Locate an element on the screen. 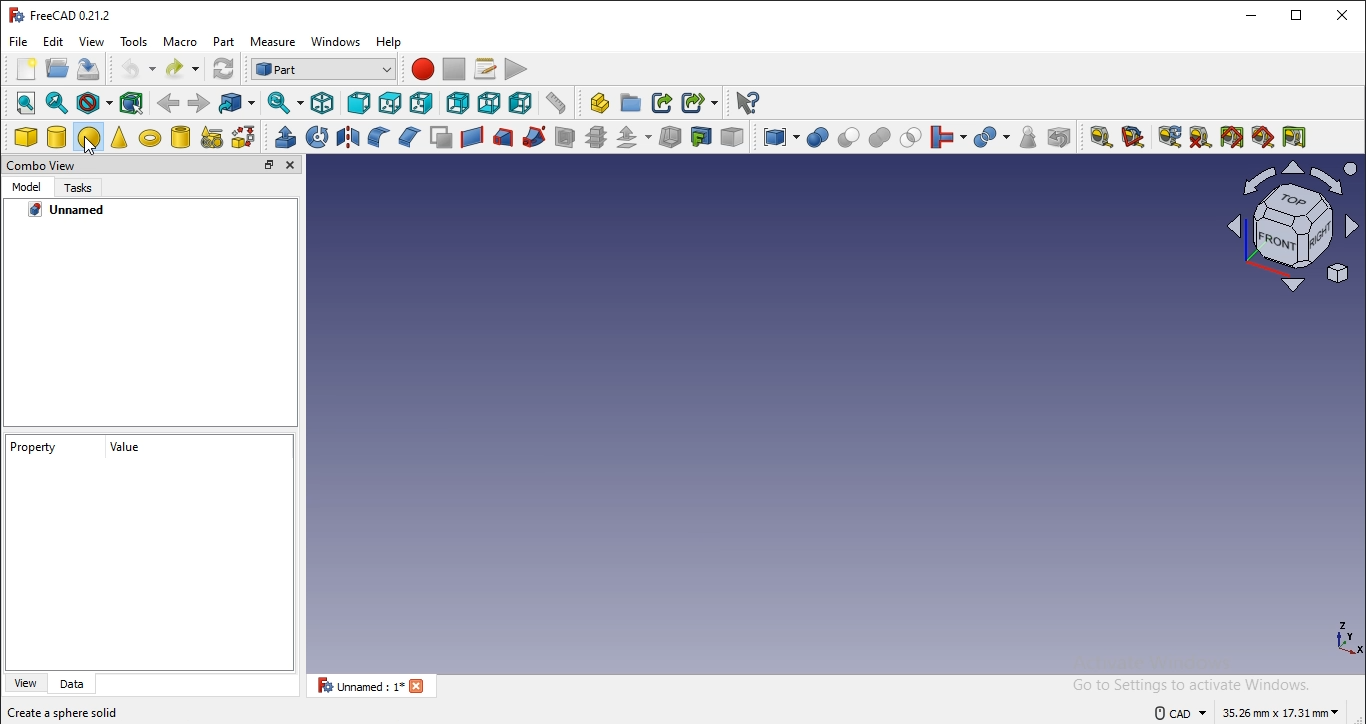 This screenshot has width=1366, height=724. forward is located at coordinates (199, 101).